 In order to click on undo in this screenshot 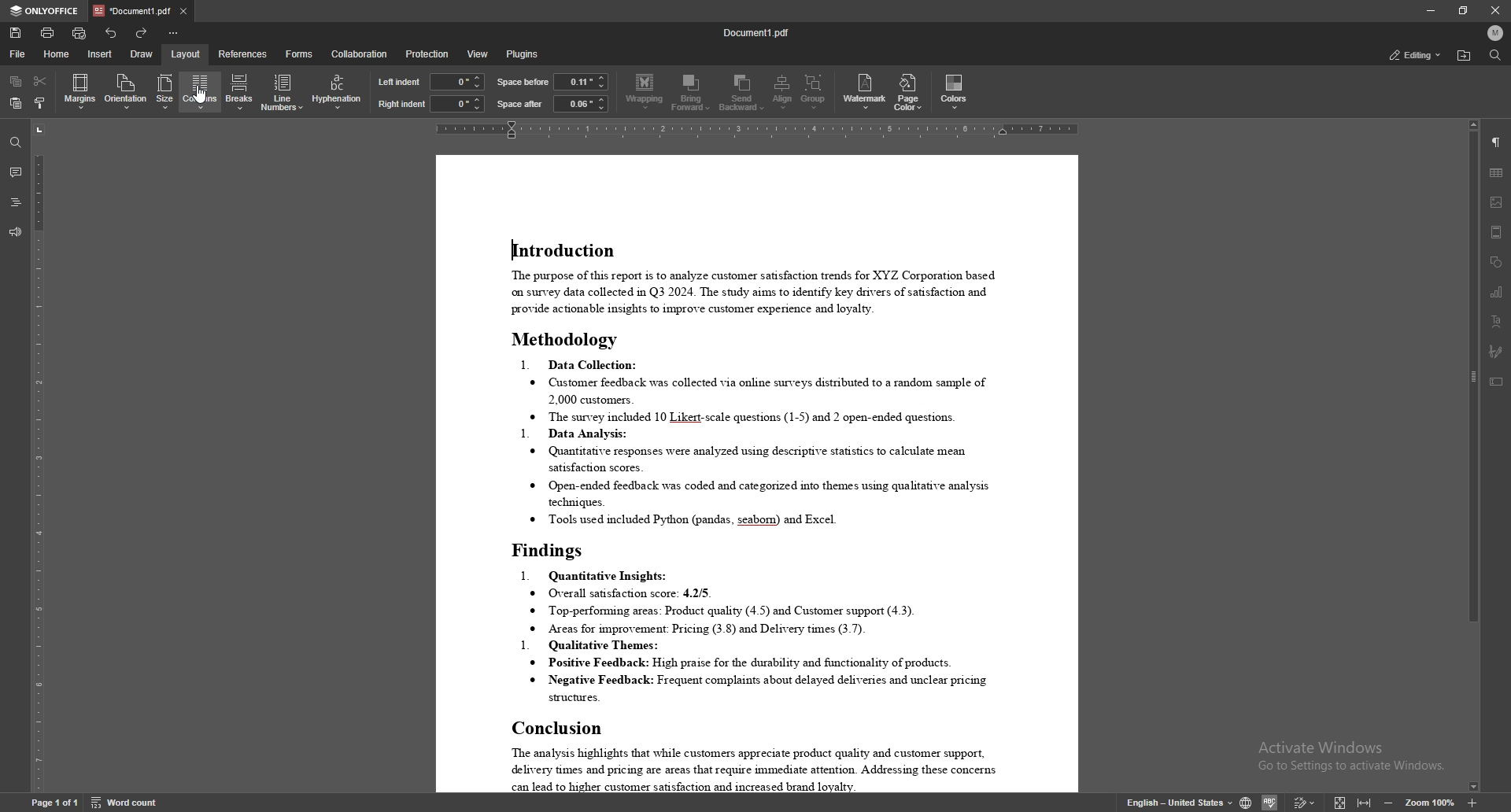, I will do `click(110, 33)`.